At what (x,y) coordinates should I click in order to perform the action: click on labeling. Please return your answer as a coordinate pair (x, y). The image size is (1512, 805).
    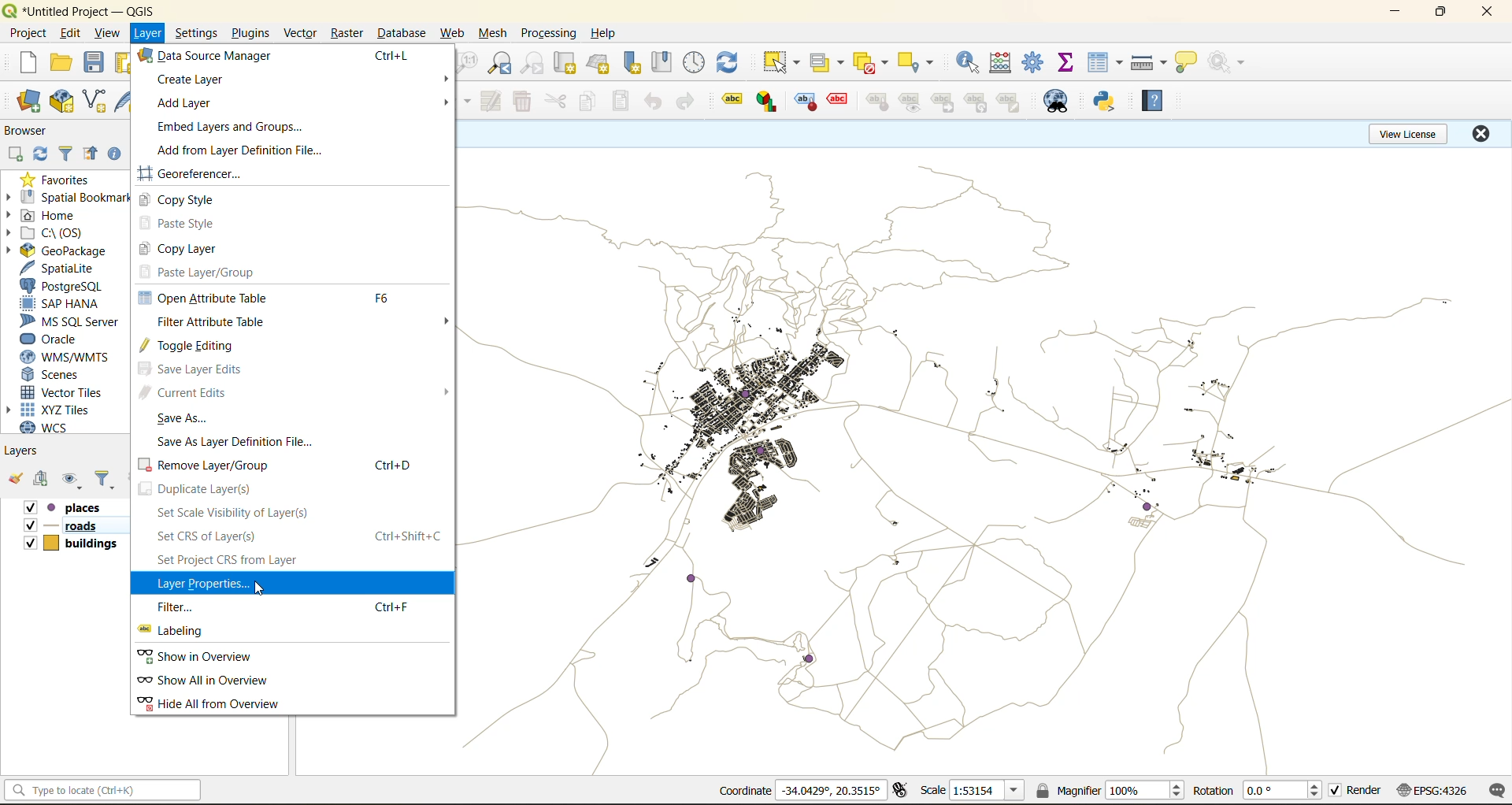
    Looking at the image, I should click on (183, 631).